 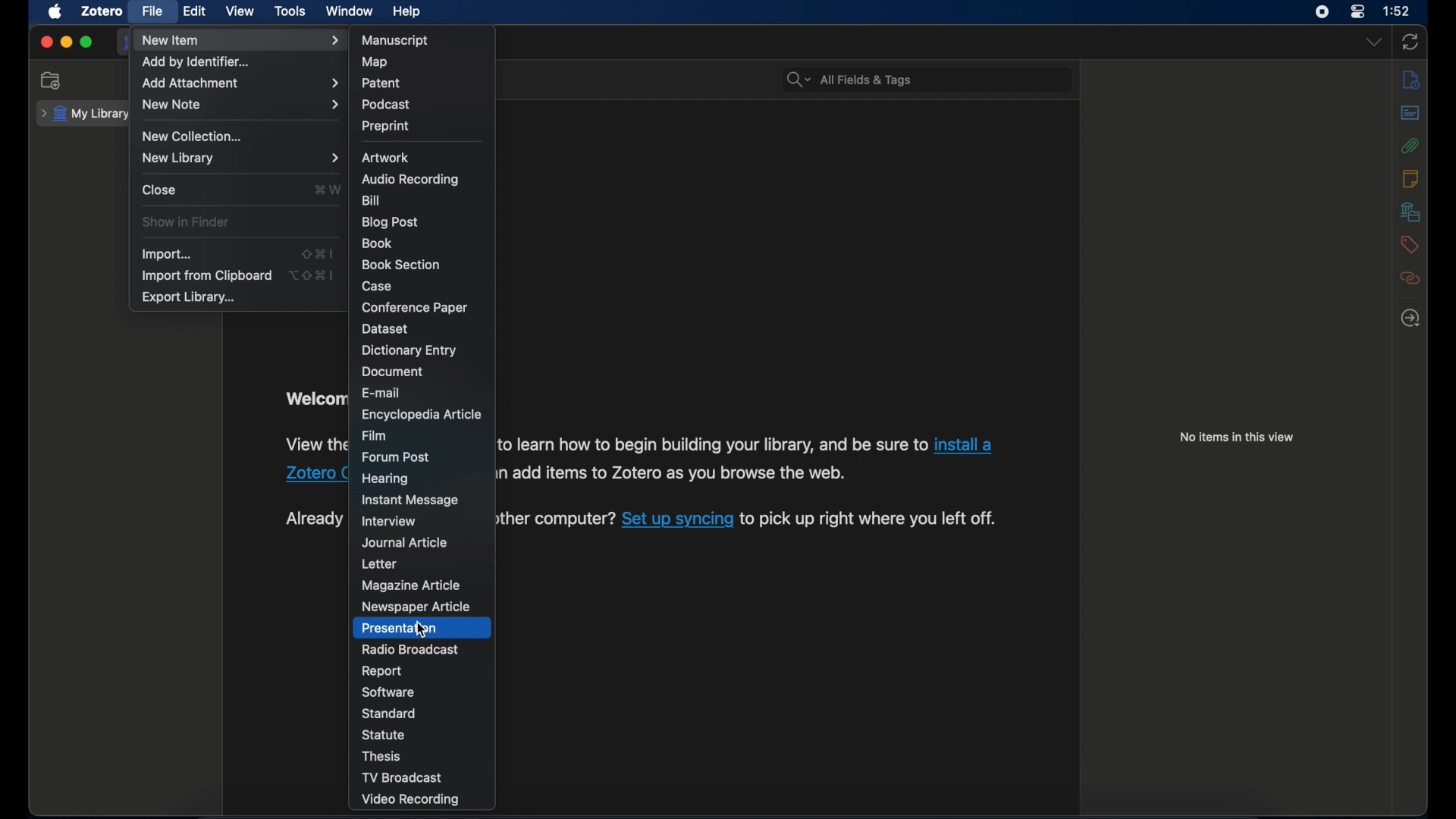 What do you see at coordinates (103, 11) in the screenshot?
I see `zotero` at bounding box center [103, 11].